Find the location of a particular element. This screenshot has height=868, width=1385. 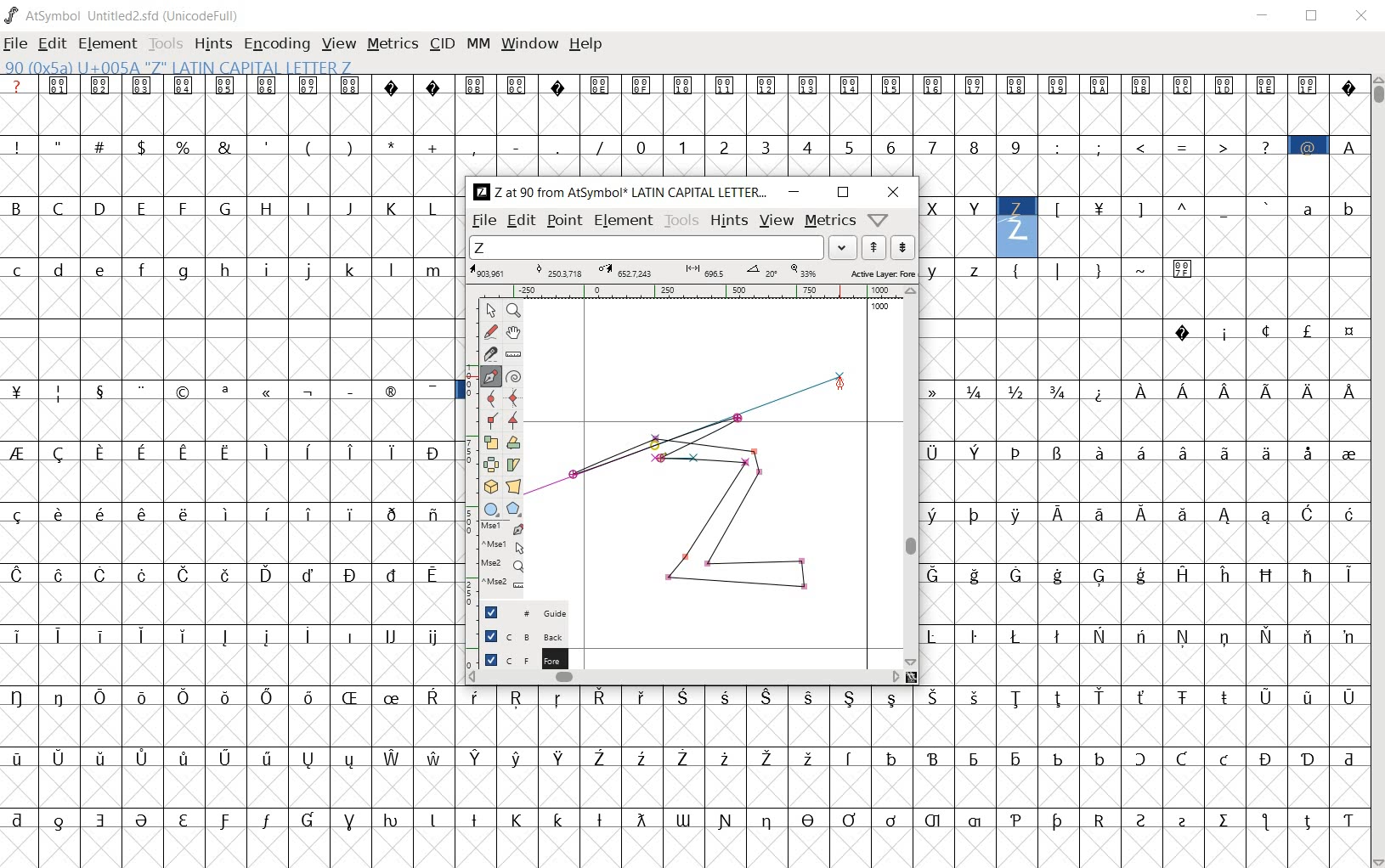

edit is located at coordinates (54, 45).